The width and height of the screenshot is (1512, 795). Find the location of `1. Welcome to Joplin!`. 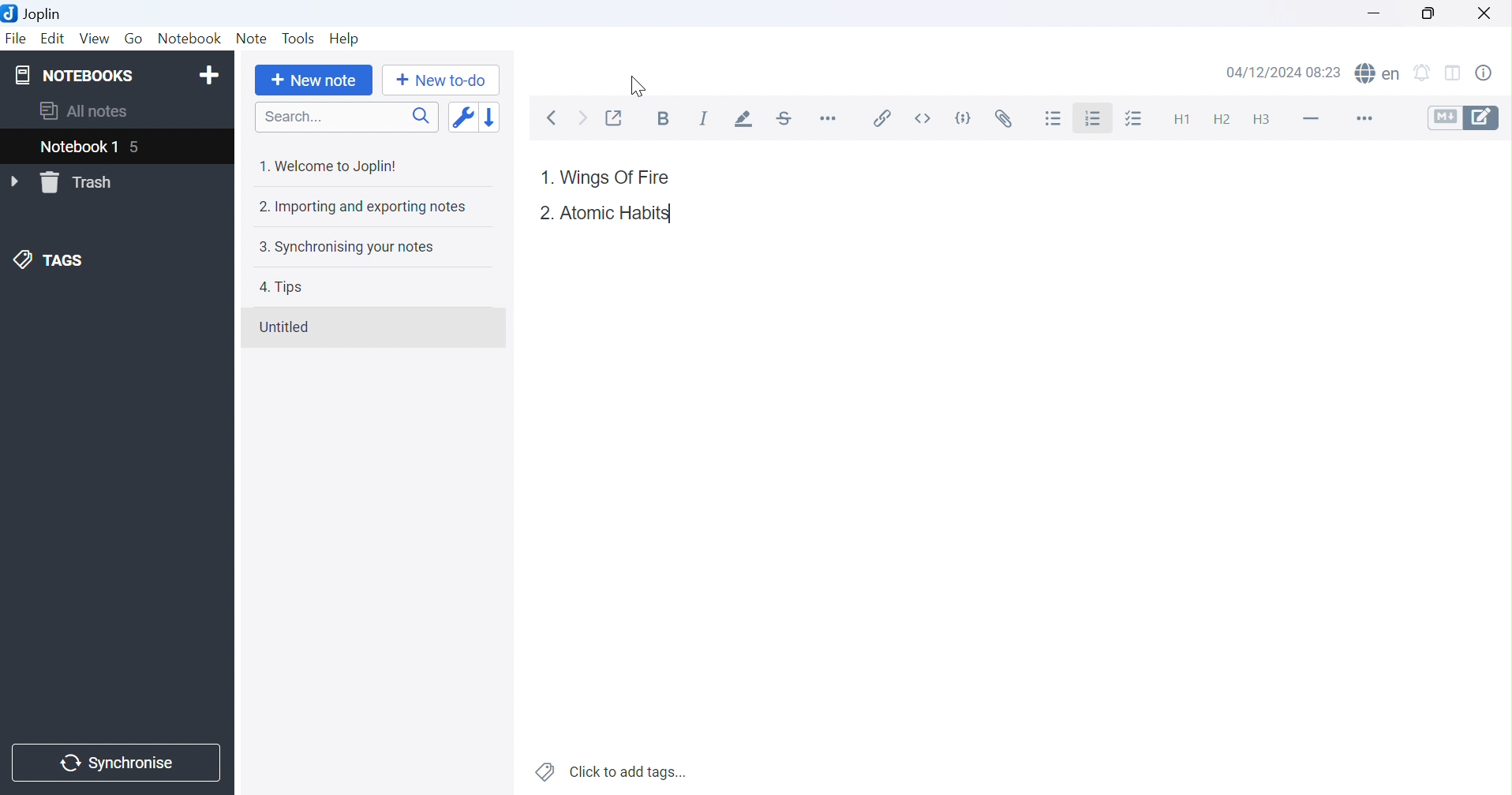

1. Welcome to Joplin! is located at coordinates (327, 166).